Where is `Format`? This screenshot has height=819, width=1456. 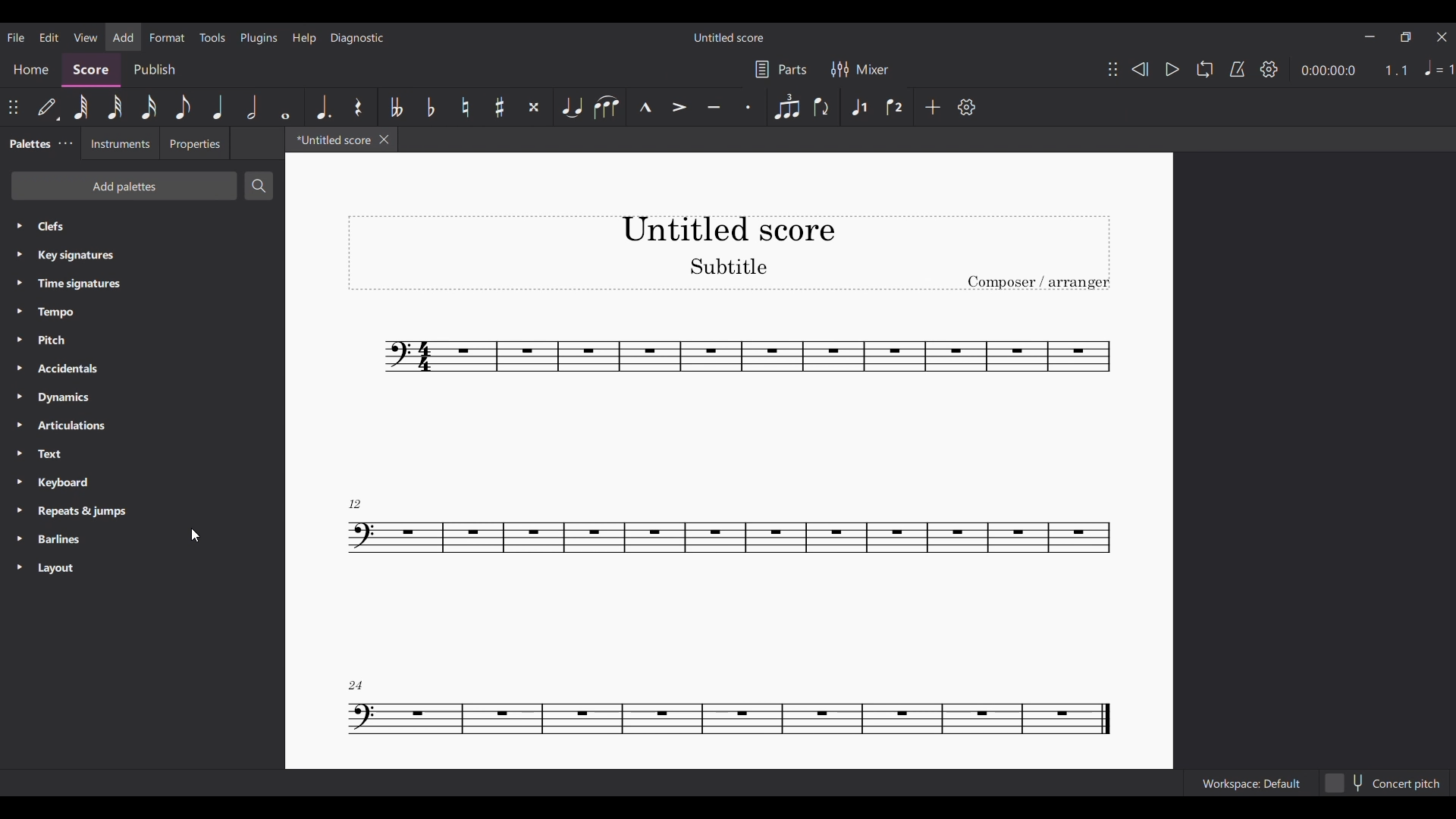
Format is located at coordinates (168, 37).